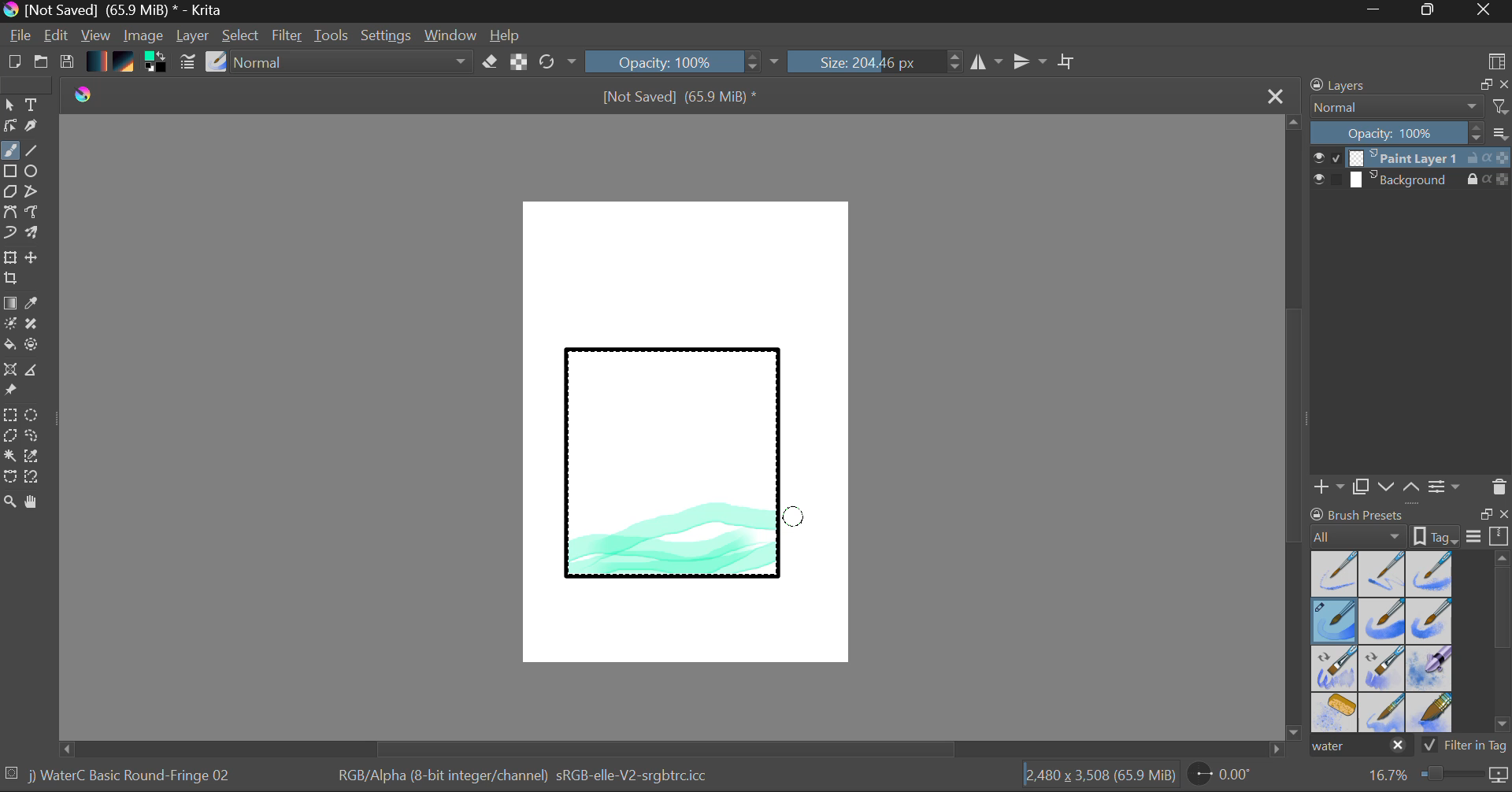 The image size is (1512, 792). What do you see at coordinates (9, 347) in the screenshot?
I see `Fill` at bounding box center [9, 347].